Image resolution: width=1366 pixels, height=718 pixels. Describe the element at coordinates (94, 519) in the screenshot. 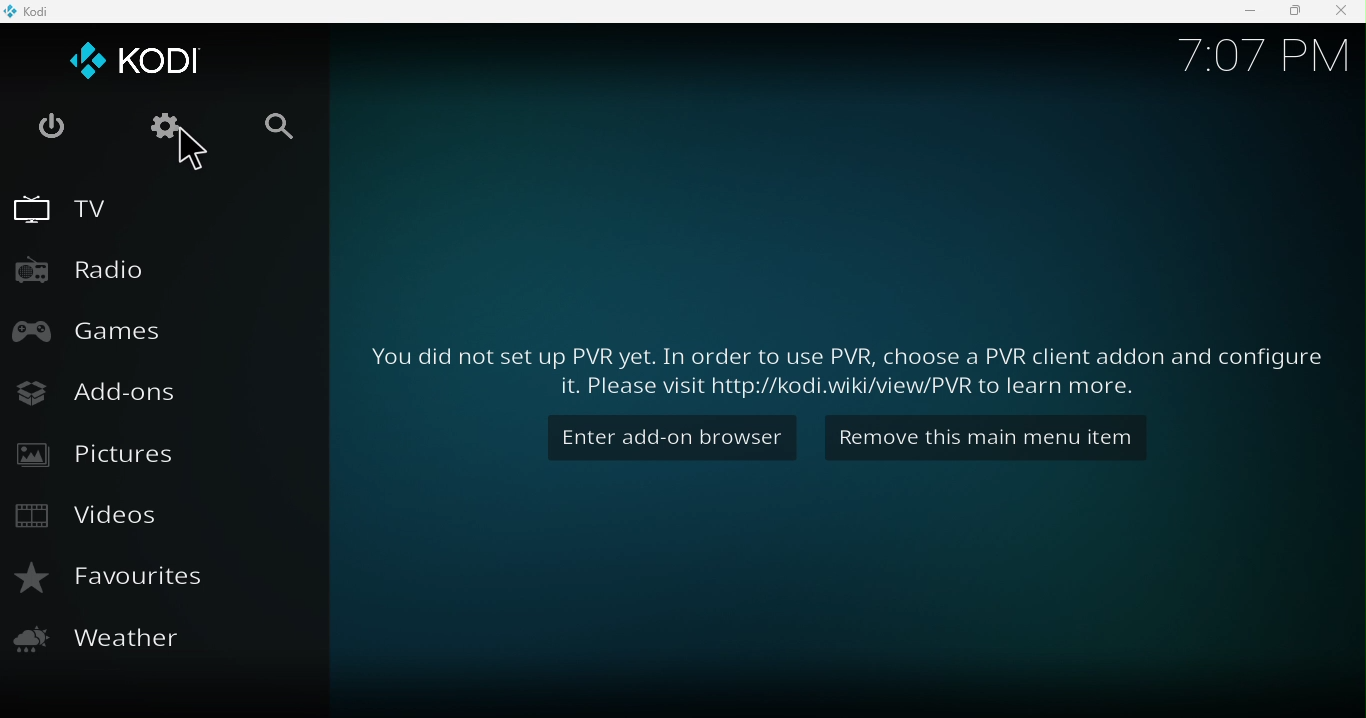

I see `Videos` at that location.